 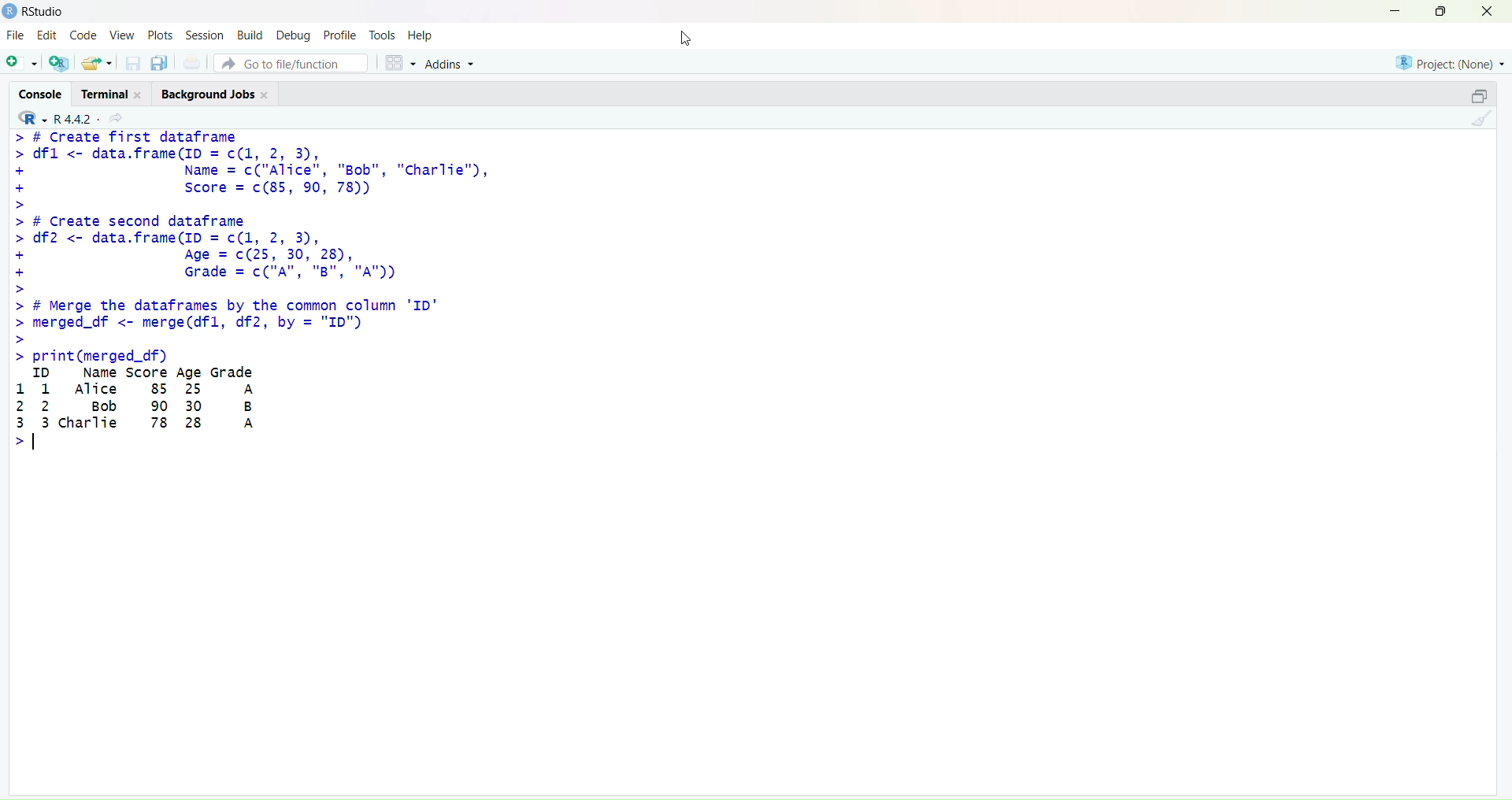 What do you see at coordinates (251, 35) in the screenshot?
I see `Build` at bounding box center [251, 35].